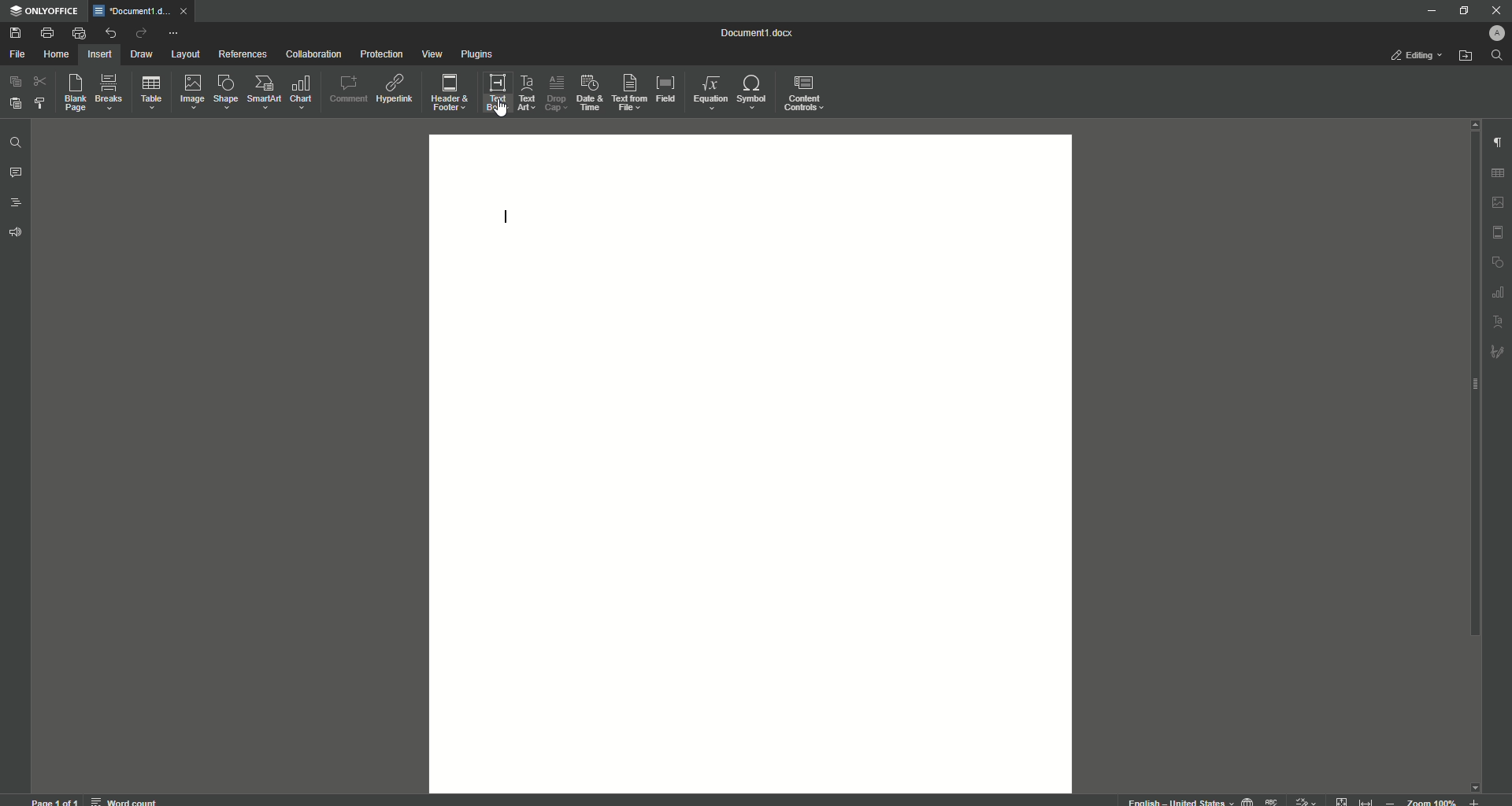 The width and height of the screenshot is (1512, 806). What do you see at coordinates (191, 91) in the screenshot?
I see `Image` at bounding box center [191, 91].